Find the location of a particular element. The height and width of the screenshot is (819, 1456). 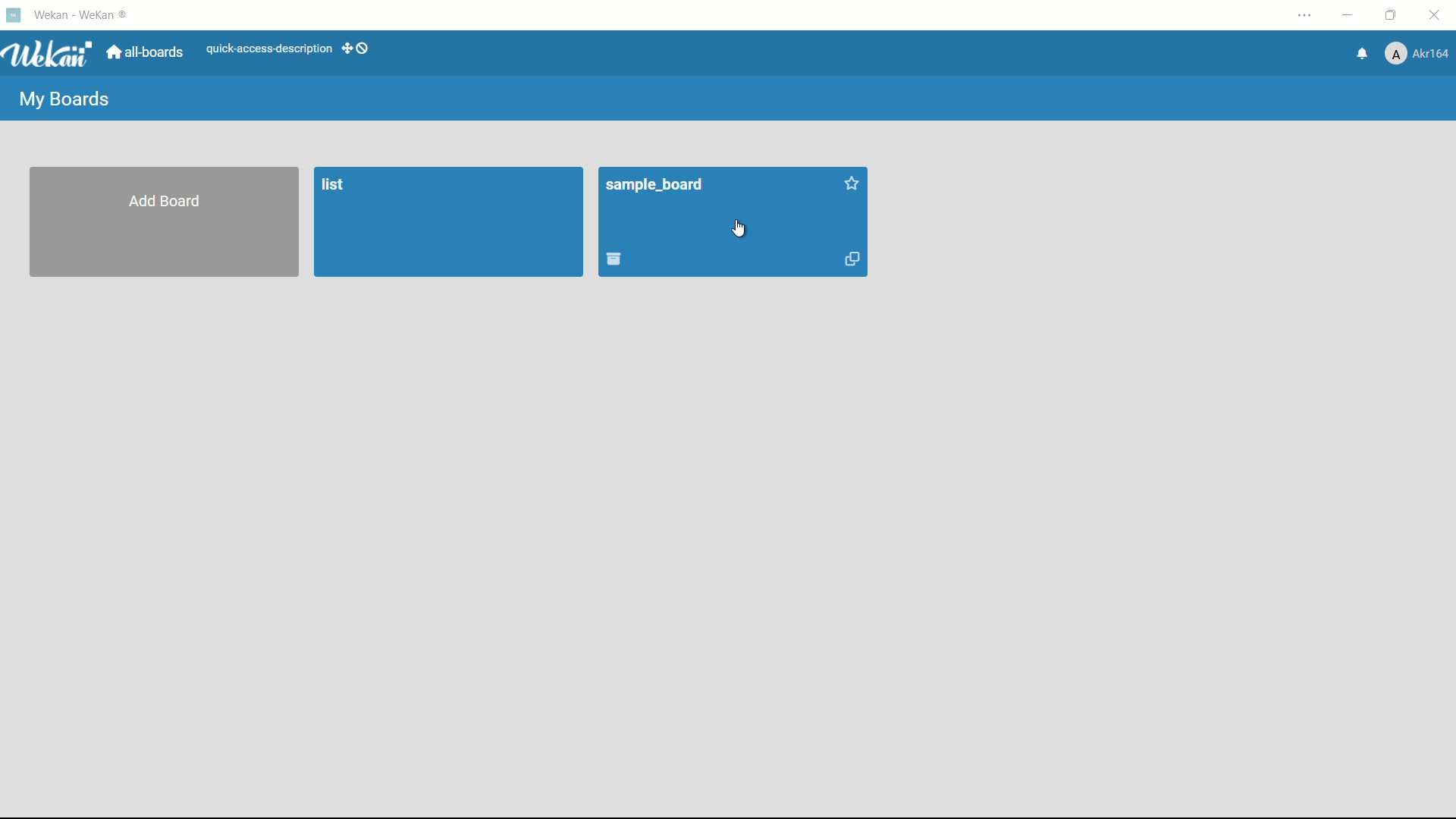

list is located at coordinates (334, 186).